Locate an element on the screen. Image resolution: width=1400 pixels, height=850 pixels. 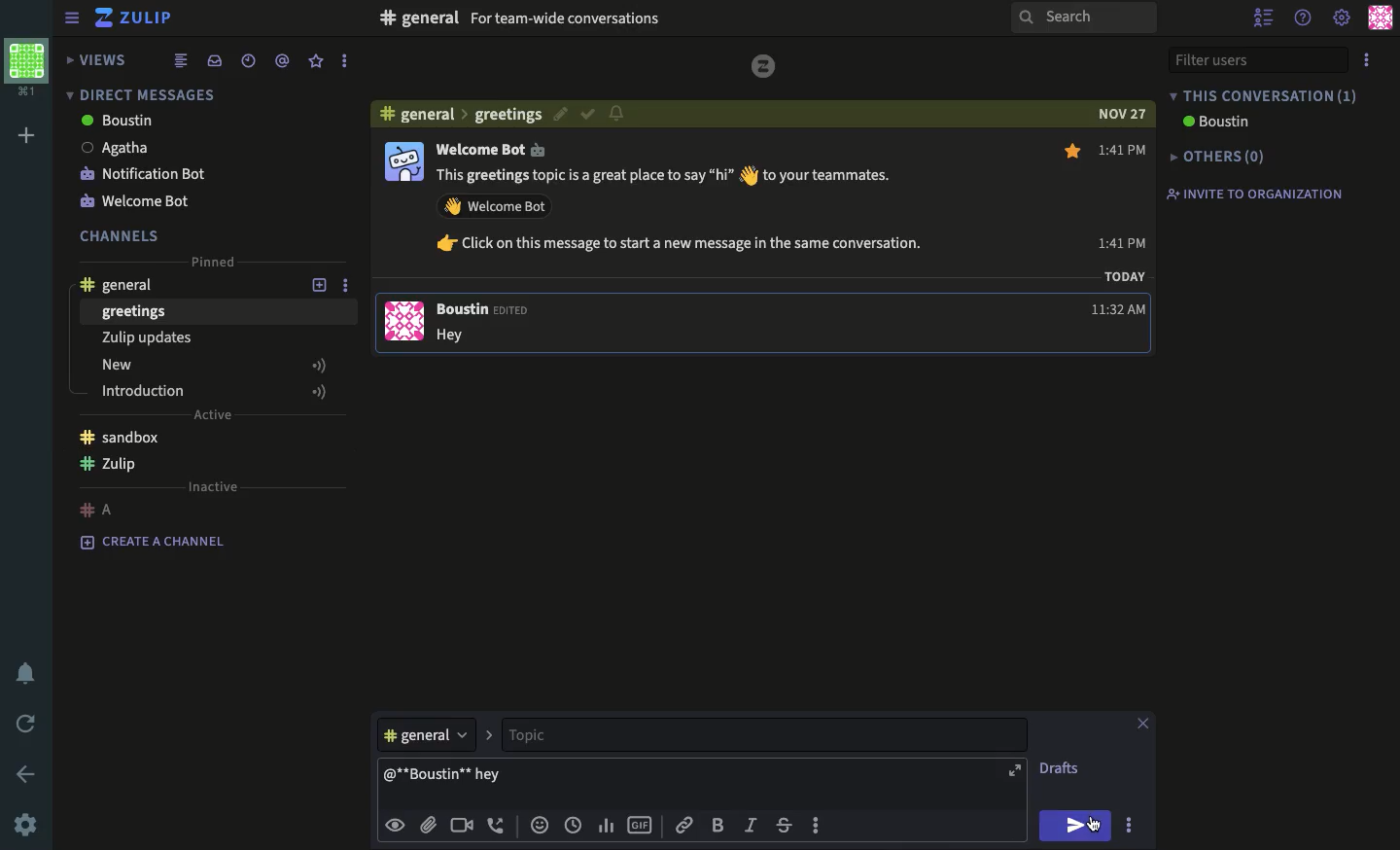
edit is located at coordinates (557, 114).